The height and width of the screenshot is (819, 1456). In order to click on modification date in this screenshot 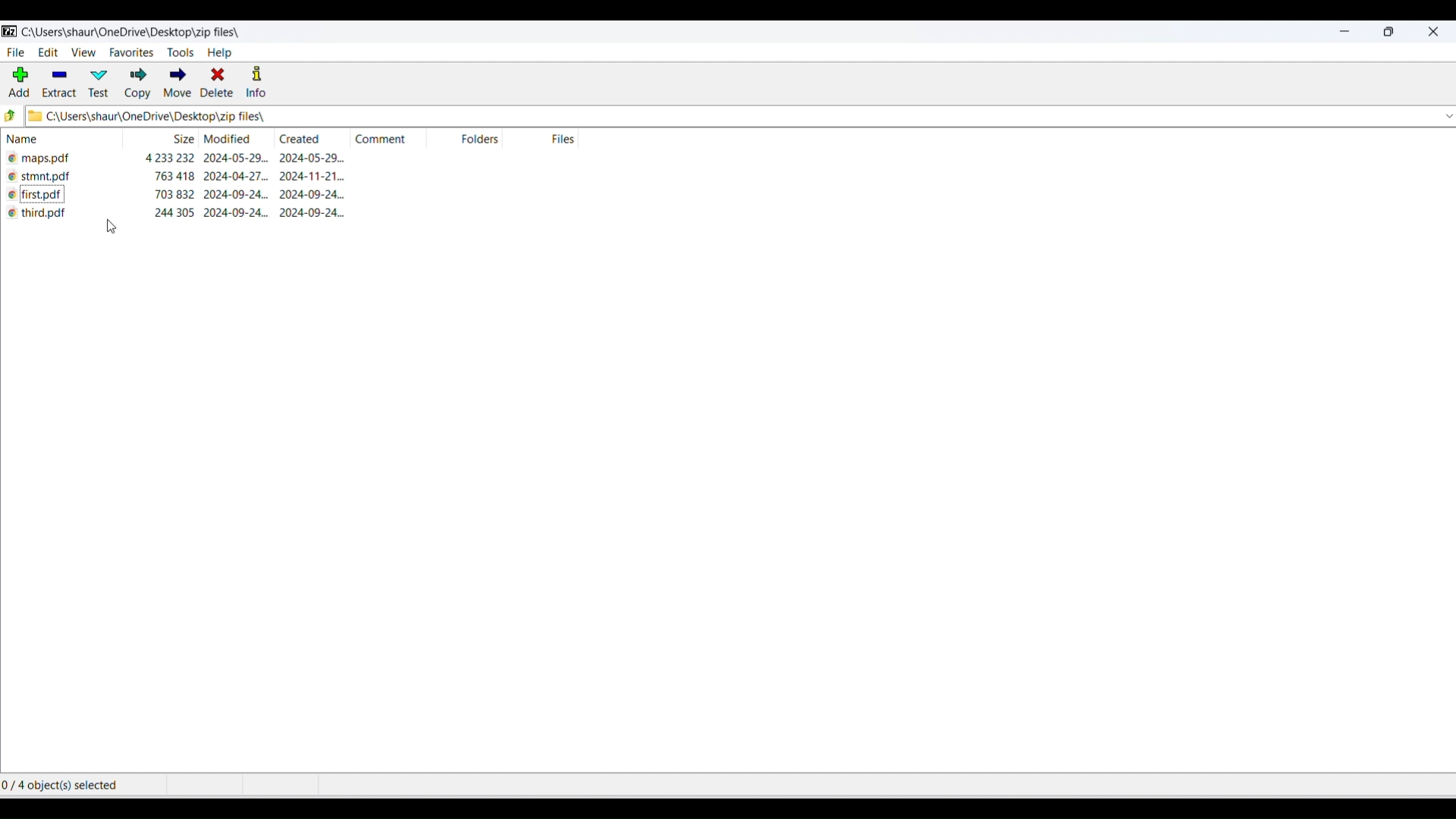, I will do `click(237, 197)`.